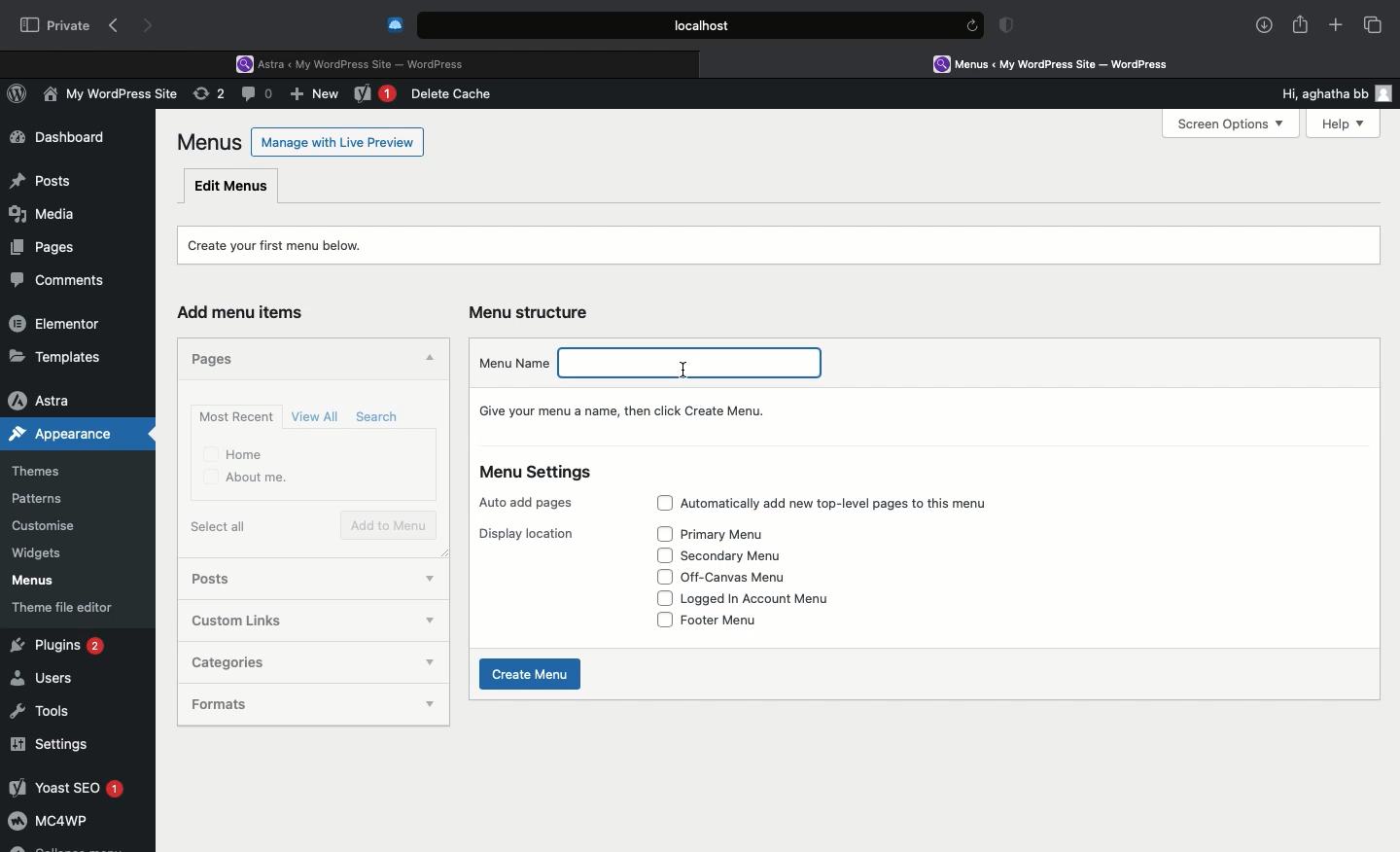 This screenshot has width=1400, height=852. What do you see at coordinates (151, 25) in the screenshot?
I see `Forward` at bounding box center [151, 25].